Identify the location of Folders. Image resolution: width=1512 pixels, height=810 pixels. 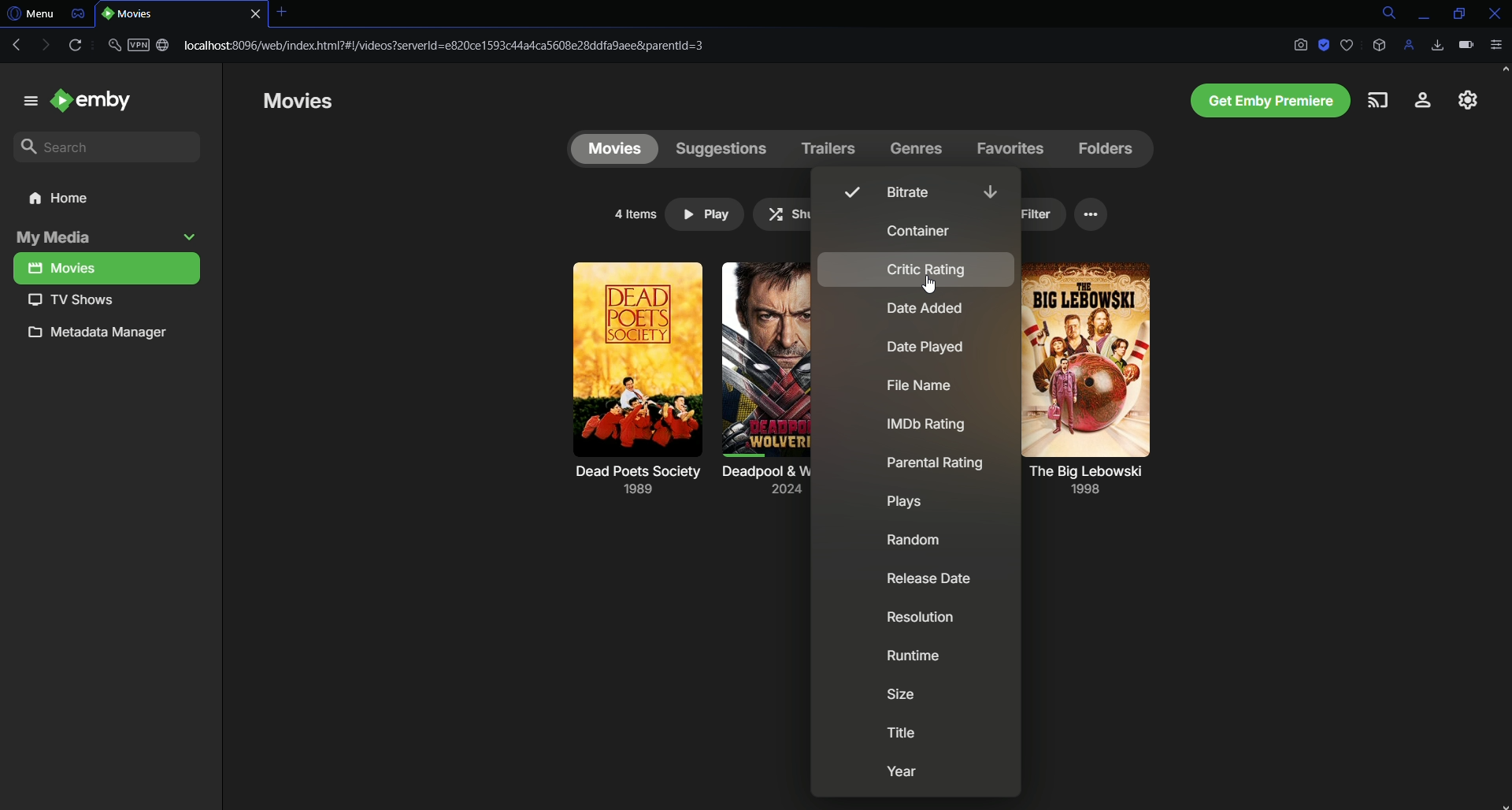
(1102, 151).